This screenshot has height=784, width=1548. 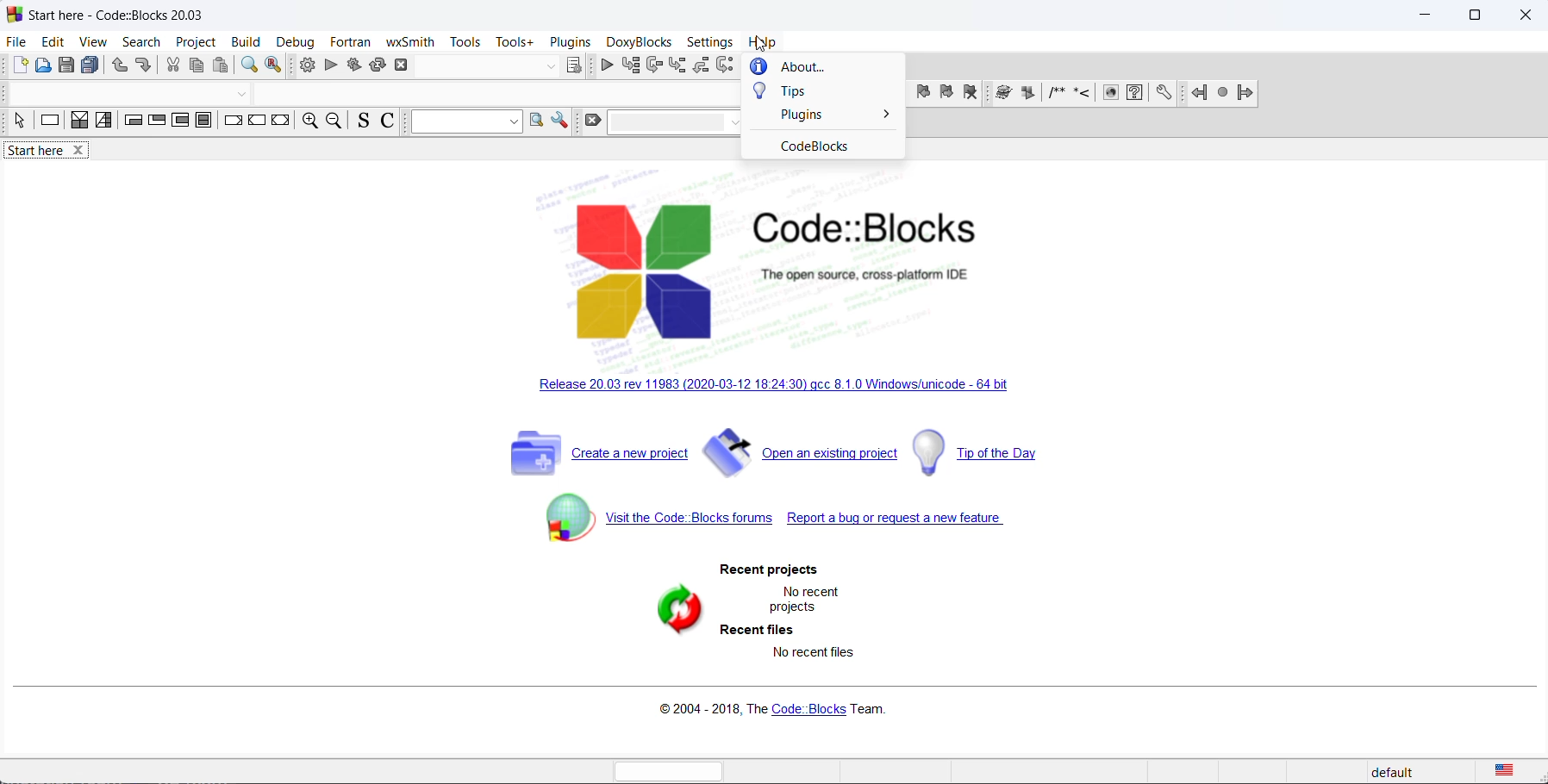 I want to click on toggle comments, so click(x=386, y=123).